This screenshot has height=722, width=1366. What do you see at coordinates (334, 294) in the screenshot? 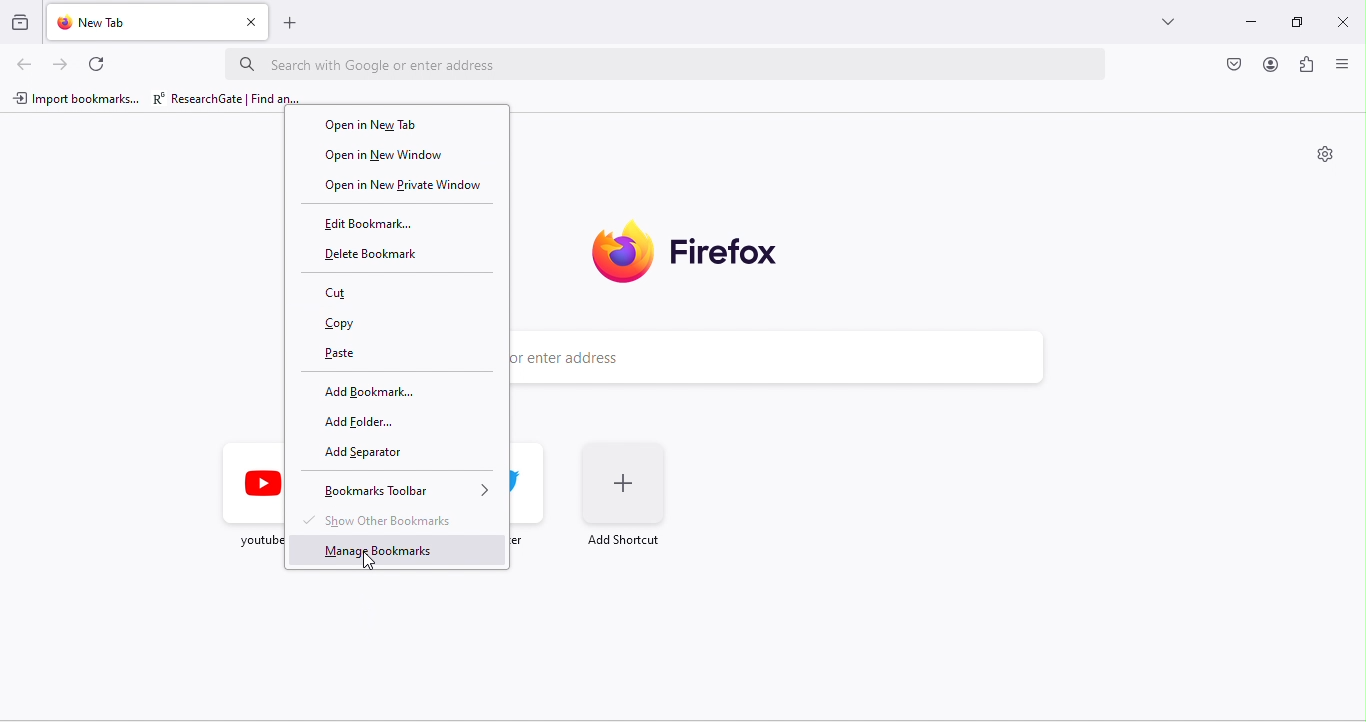
I see `cut` at bounding box center [334, 294].